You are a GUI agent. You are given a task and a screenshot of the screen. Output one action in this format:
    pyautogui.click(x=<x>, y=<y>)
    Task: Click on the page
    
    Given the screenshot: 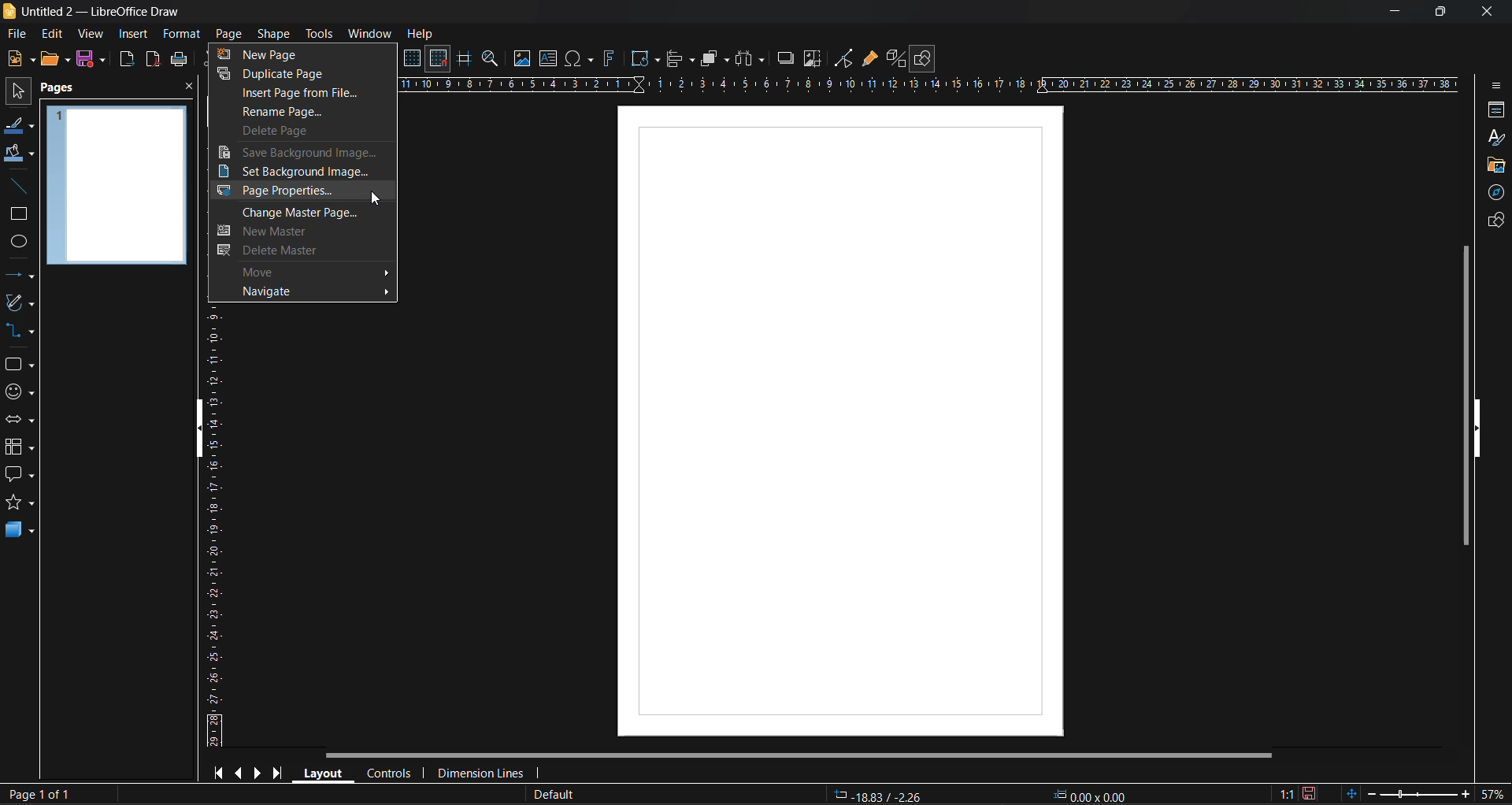 What is the action you would take?
    pyautogui.click(x=232, y=33)
    